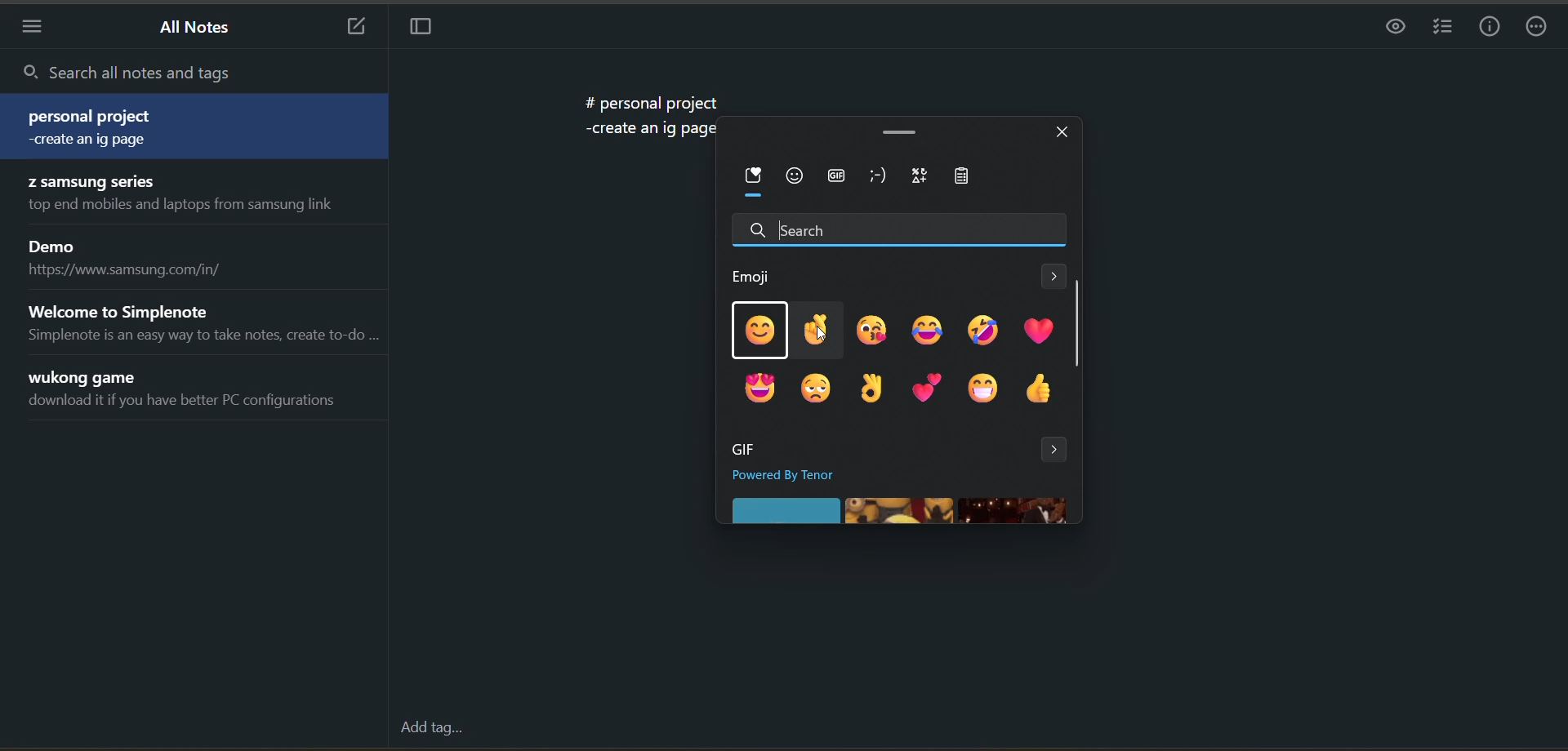  I want to click on kaomoji, so click(882, 176).